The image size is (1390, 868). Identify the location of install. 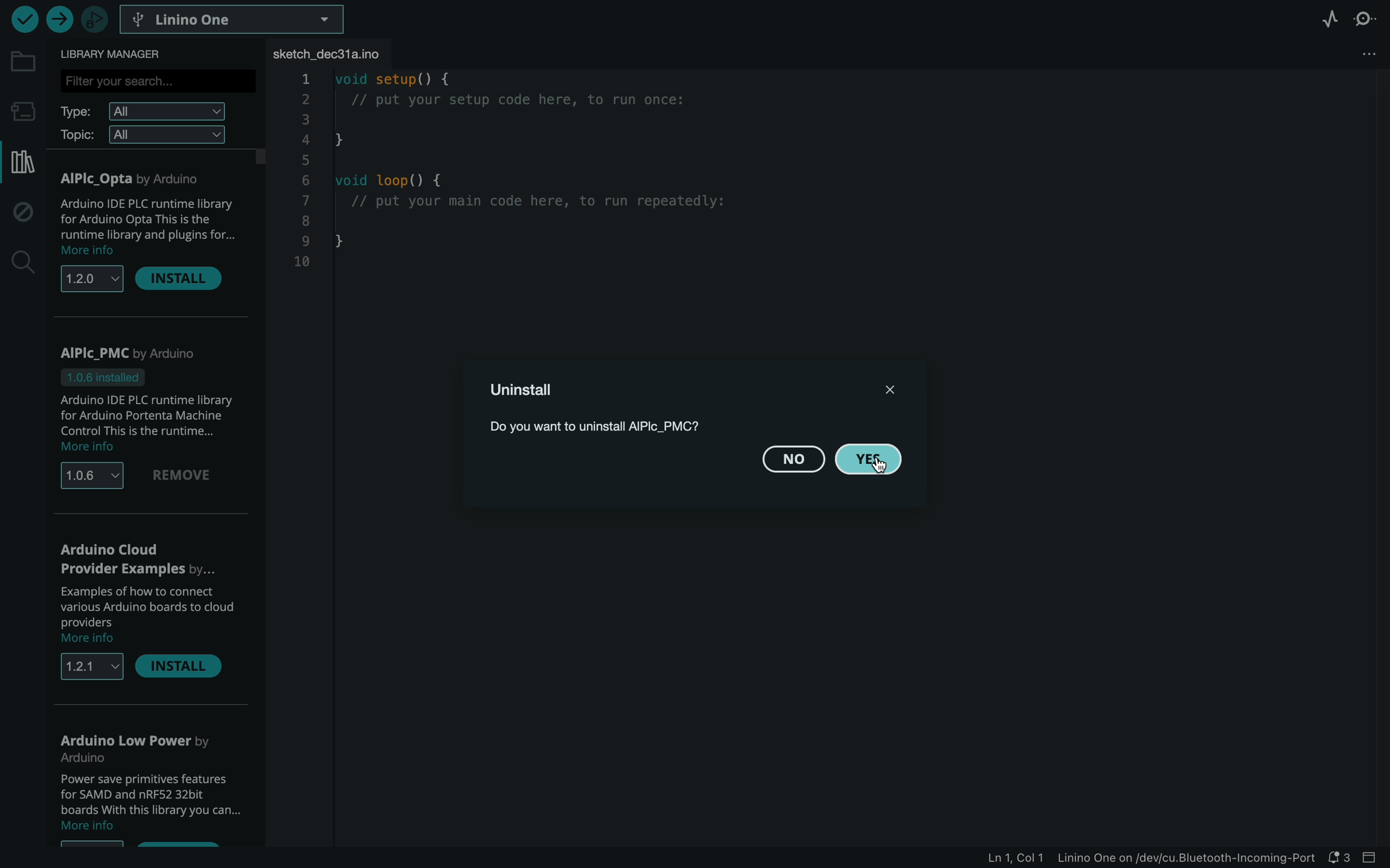
(186, 279).